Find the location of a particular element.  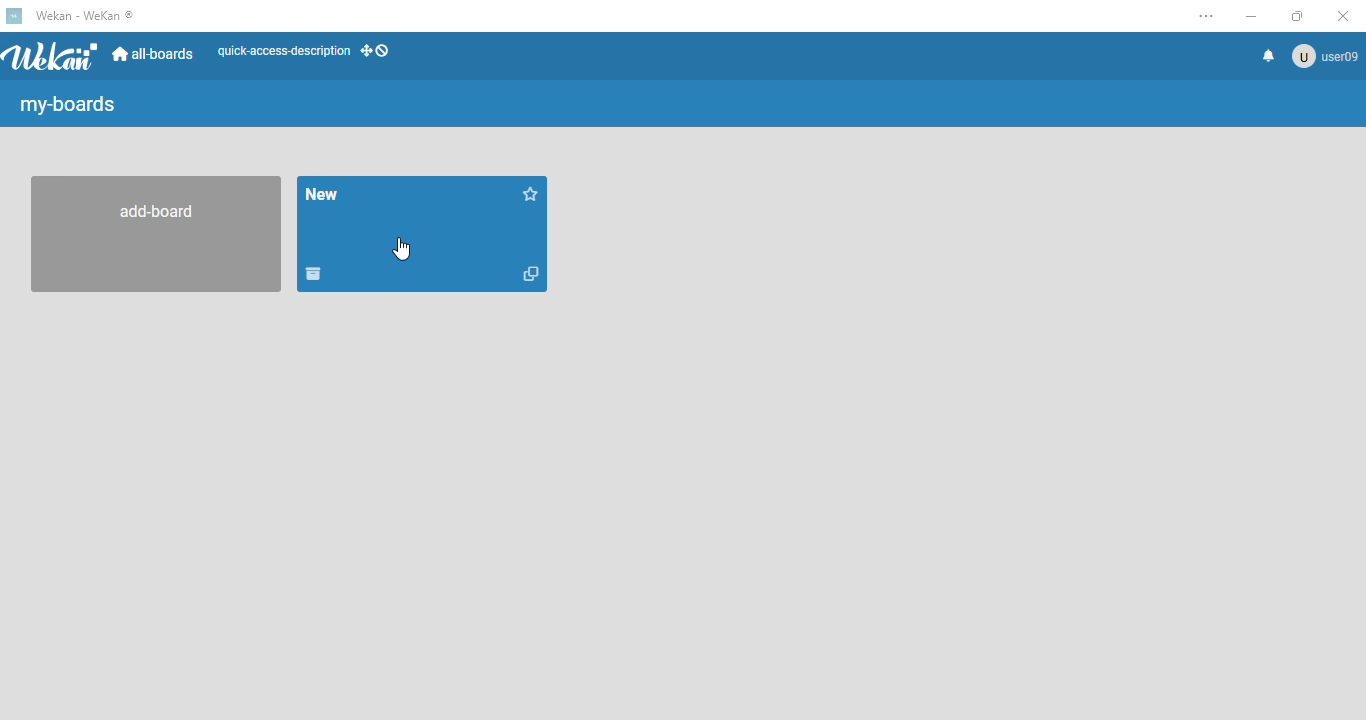

settings and more is located at coordinates (1210, 17).